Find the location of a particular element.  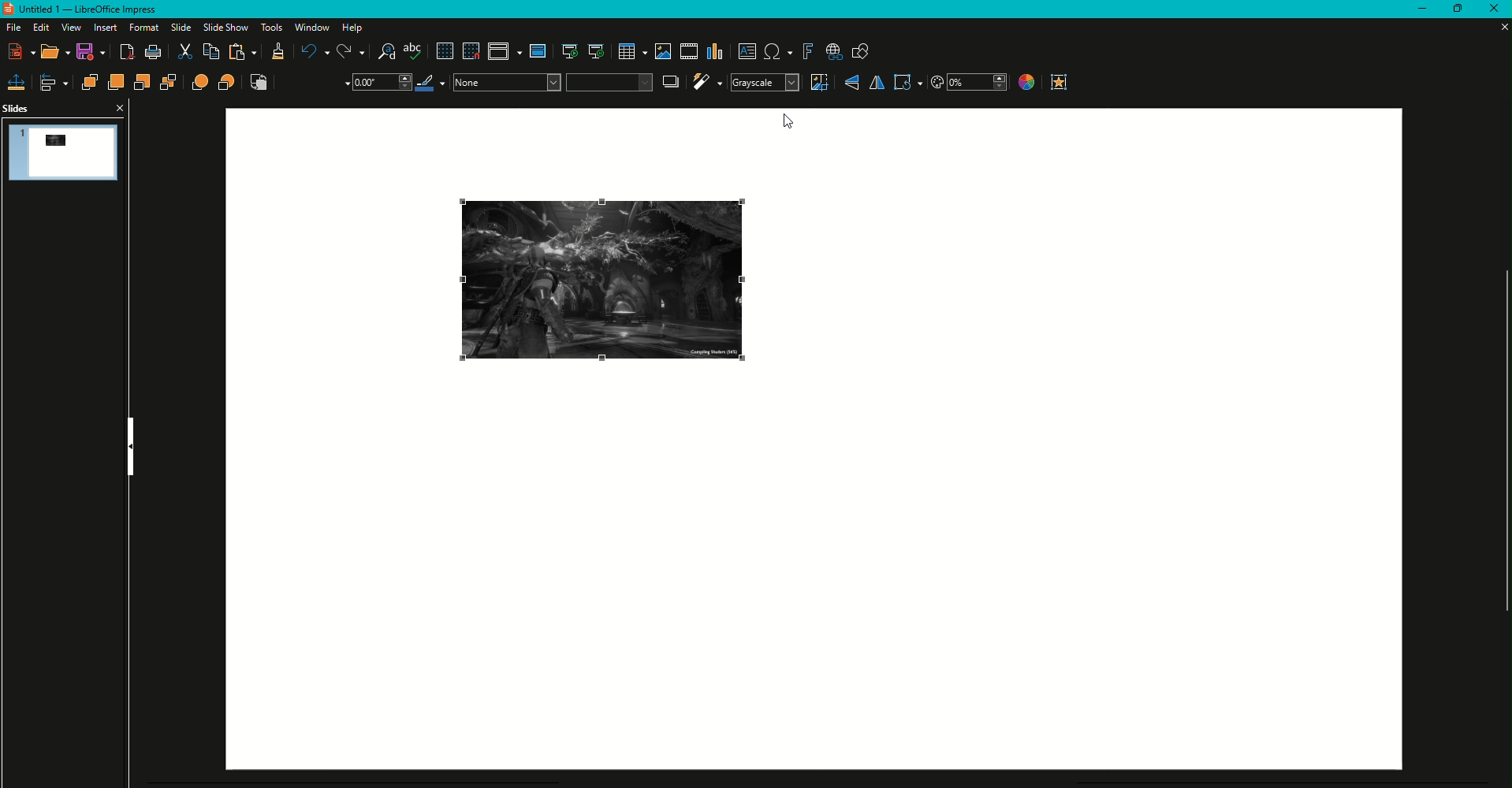

Vertical is located at coordinates (851, 83).